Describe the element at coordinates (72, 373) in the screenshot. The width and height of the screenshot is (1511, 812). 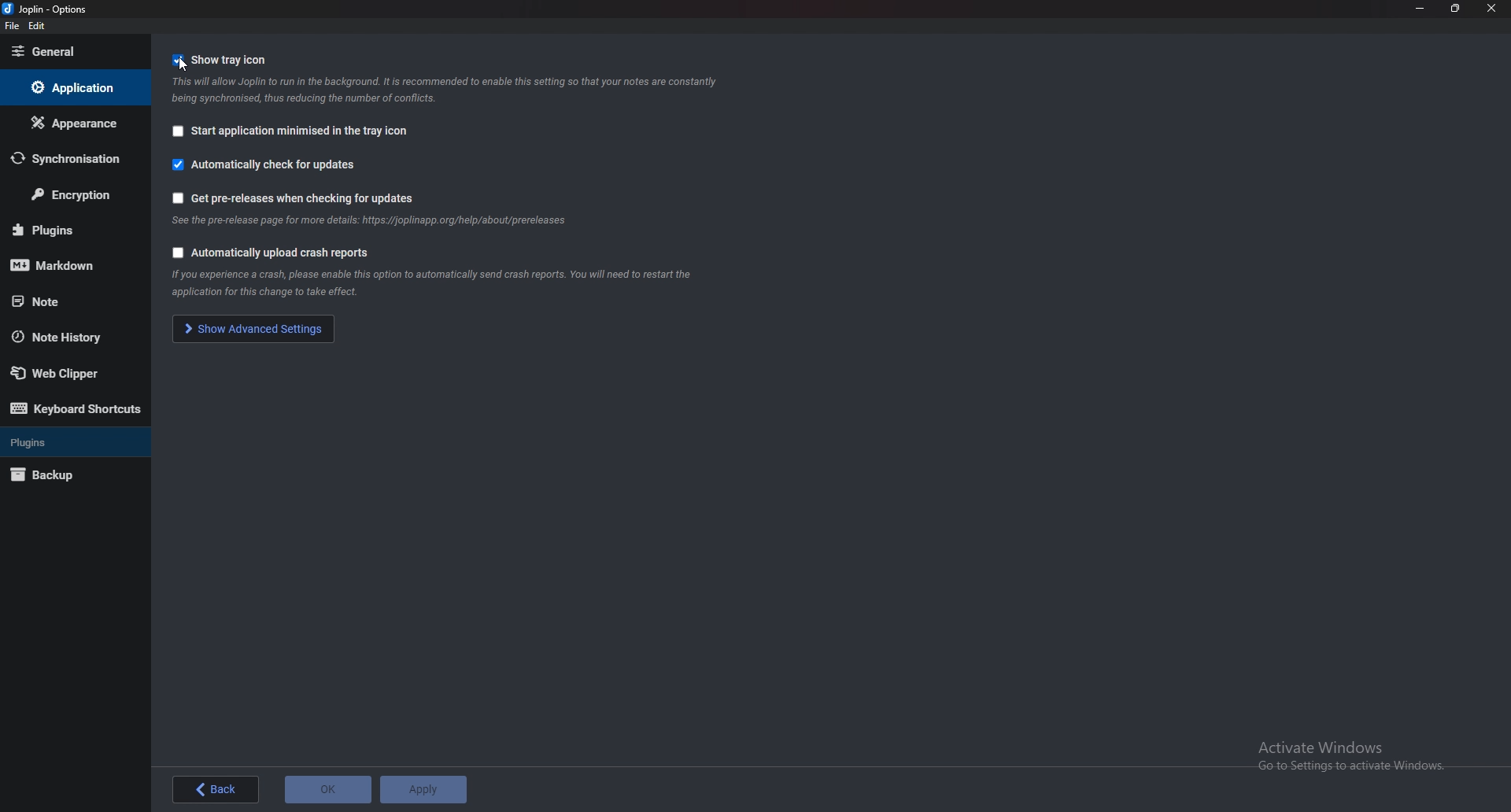
I see `Web Clipper` at that location.